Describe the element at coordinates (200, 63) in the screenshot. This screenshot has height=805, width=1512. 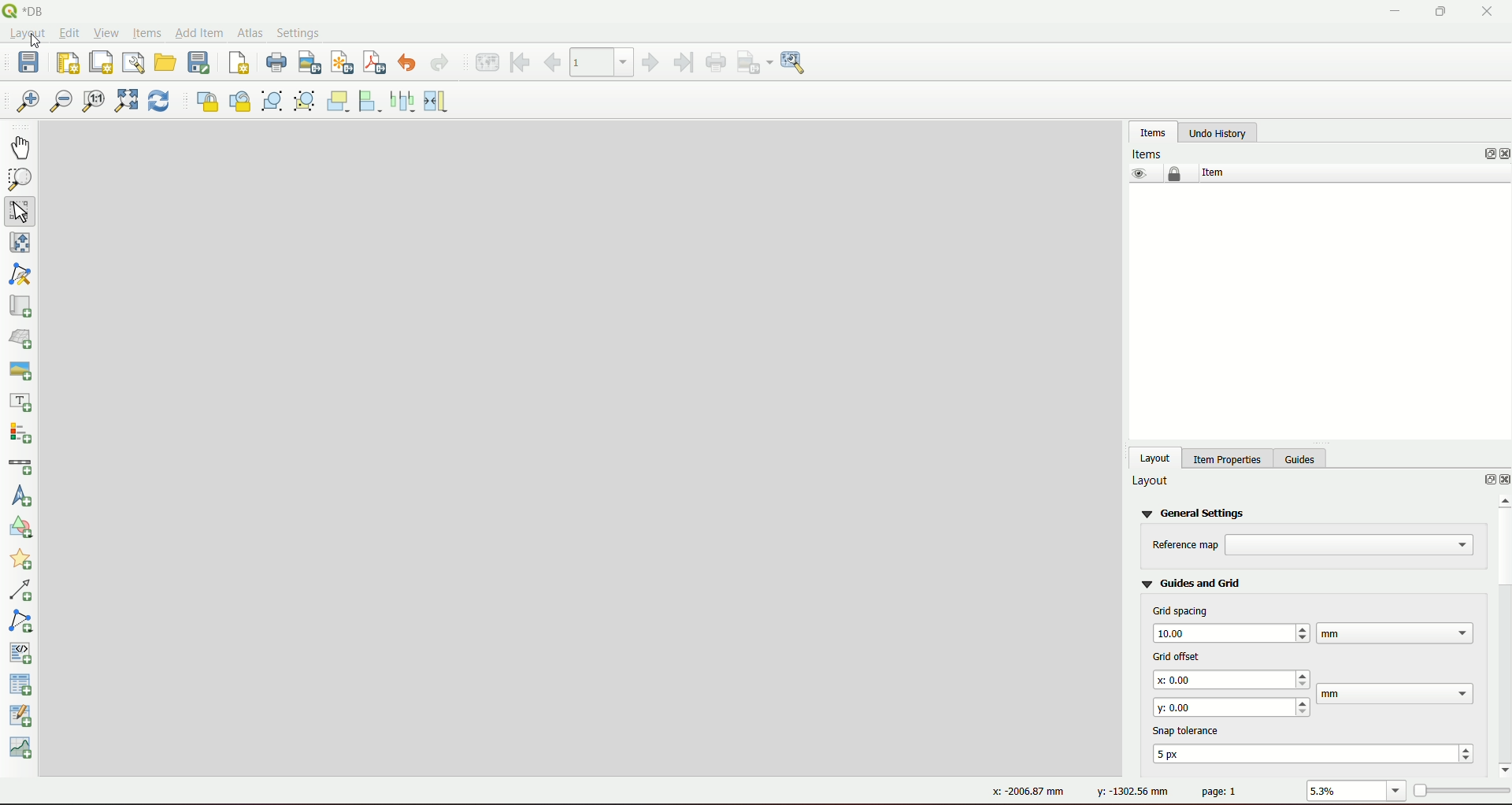
I see `save as template` at that location.